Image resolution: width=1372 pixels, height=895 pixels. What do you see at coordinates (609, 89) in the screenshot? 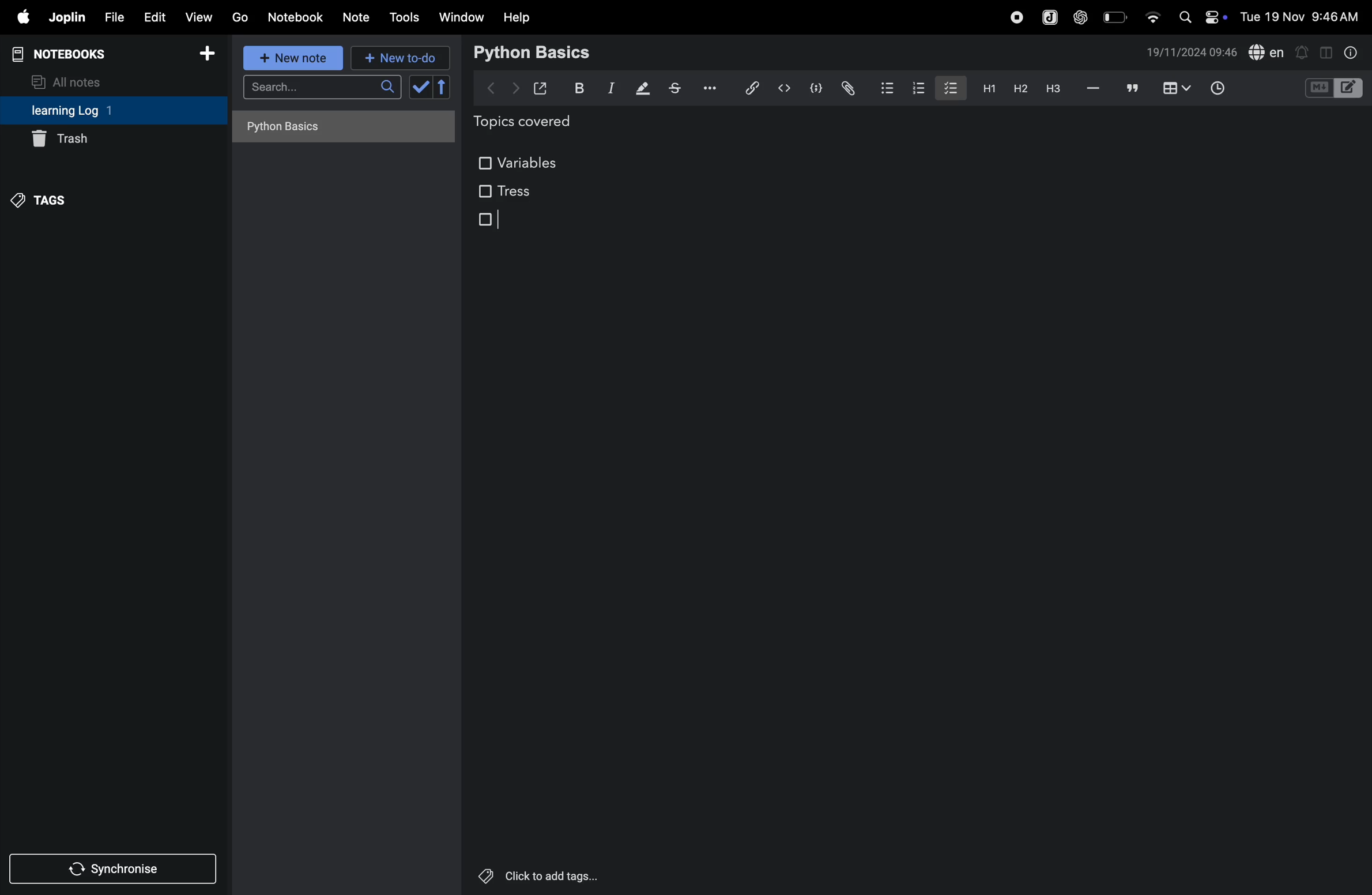
I see `itallic` at bounding box center [609, 89].